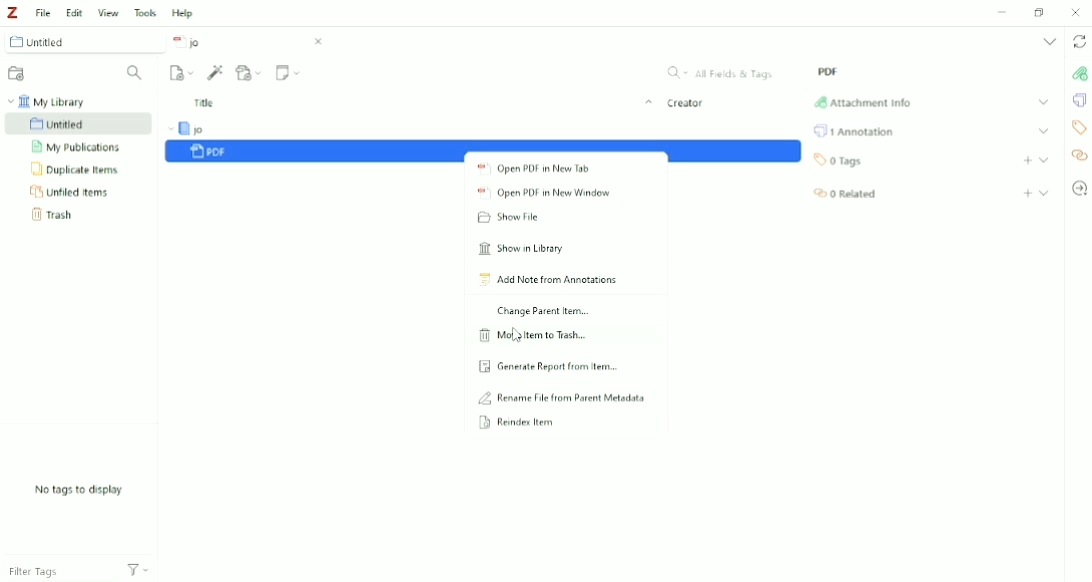  I want to click on Cursor, so click(519, 339).